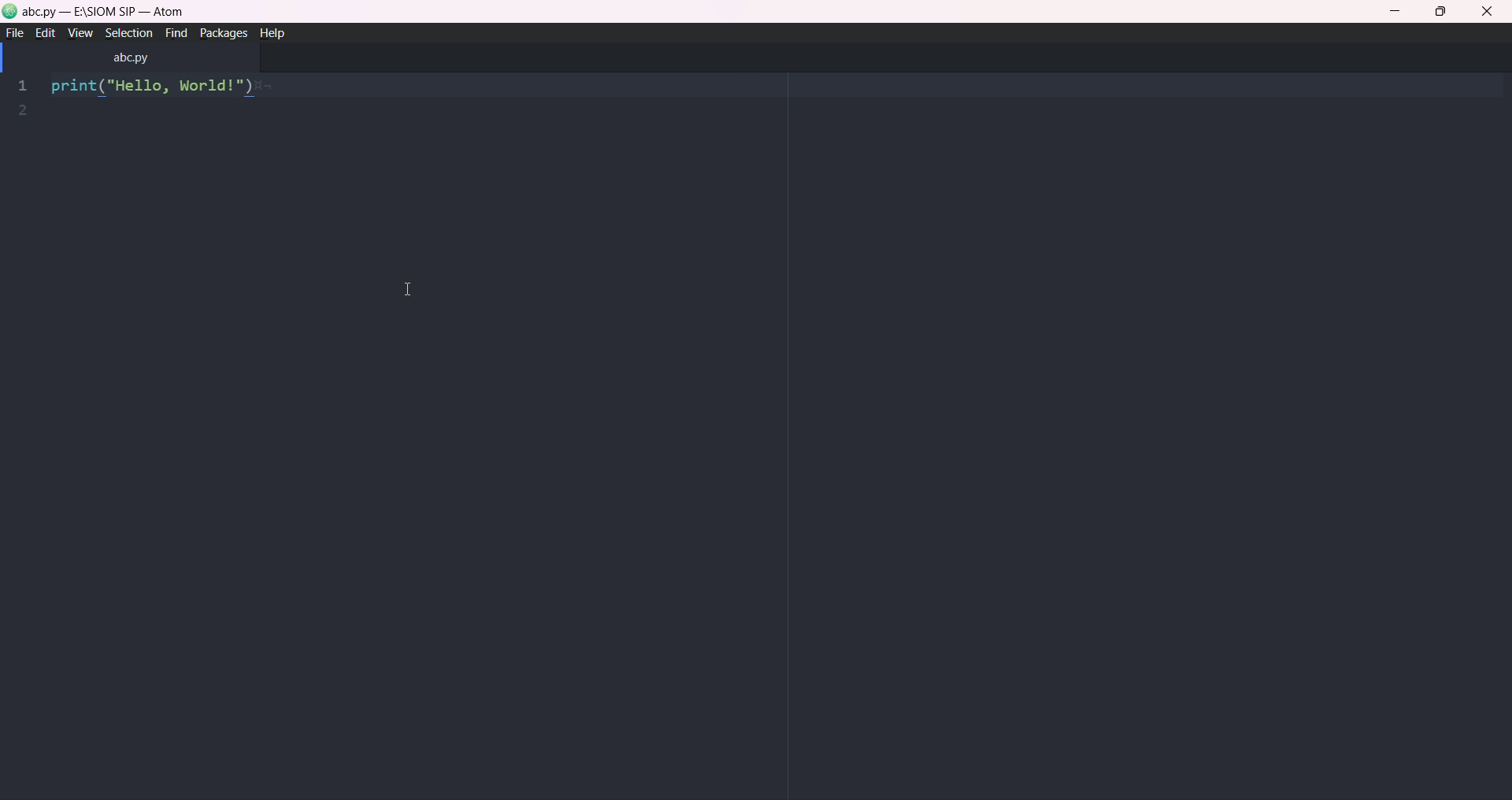  Describe the element at coordinates (222, 32) in the screenshot. I see `packages` at that location.